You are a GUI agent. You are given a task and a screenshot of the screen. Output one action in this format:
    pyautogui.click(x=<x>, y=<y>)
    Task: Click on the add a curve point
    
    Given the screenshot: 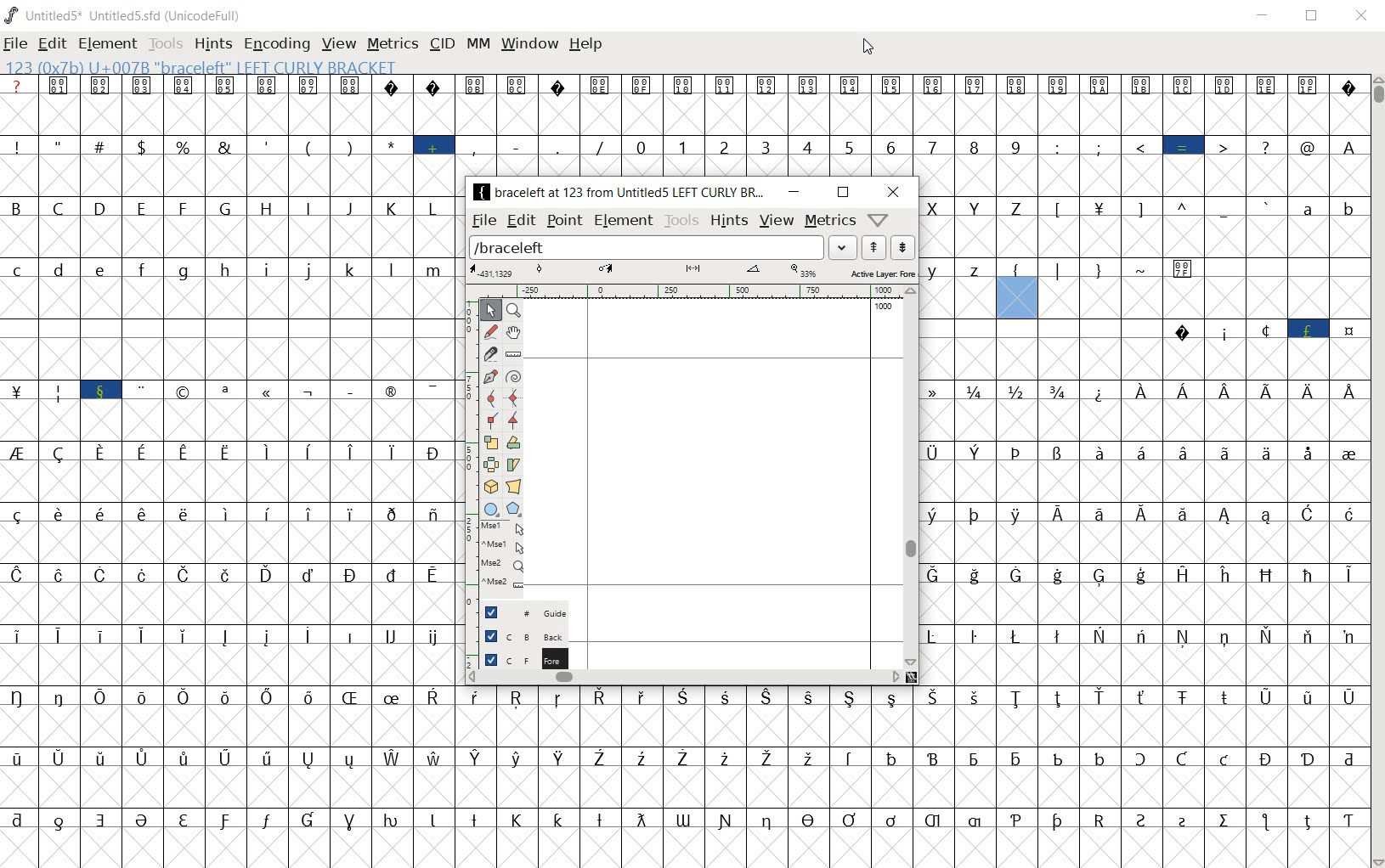 What is the action you would take?
    pyautogui.click(x=492, y=398)
    